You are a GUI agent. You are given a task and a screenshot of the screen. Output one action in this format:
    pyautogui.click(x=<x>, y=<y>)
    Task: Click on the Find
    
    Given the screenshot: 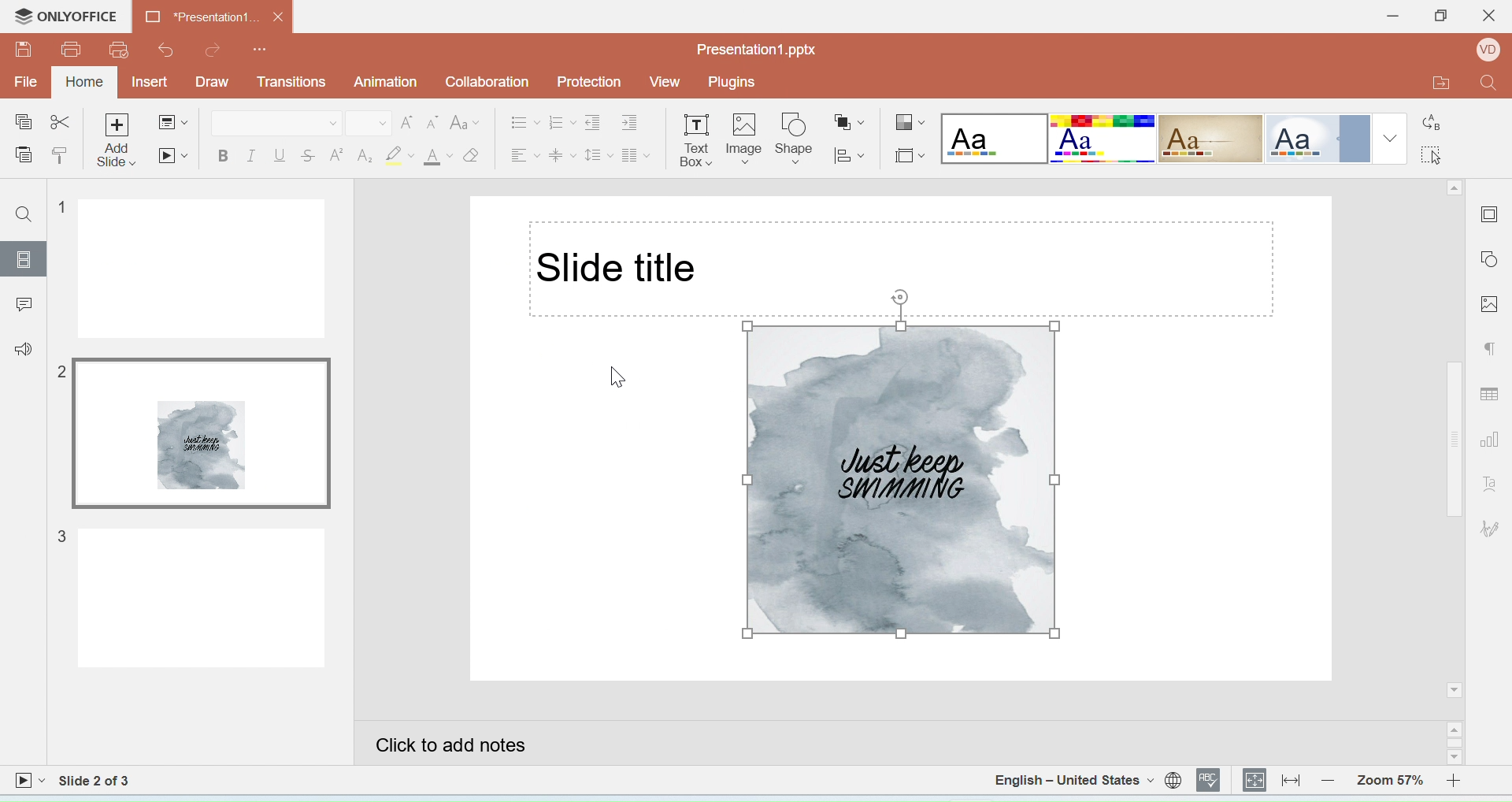 What is the action you would take?
    pyautogui.click(x=26, y=216)
    